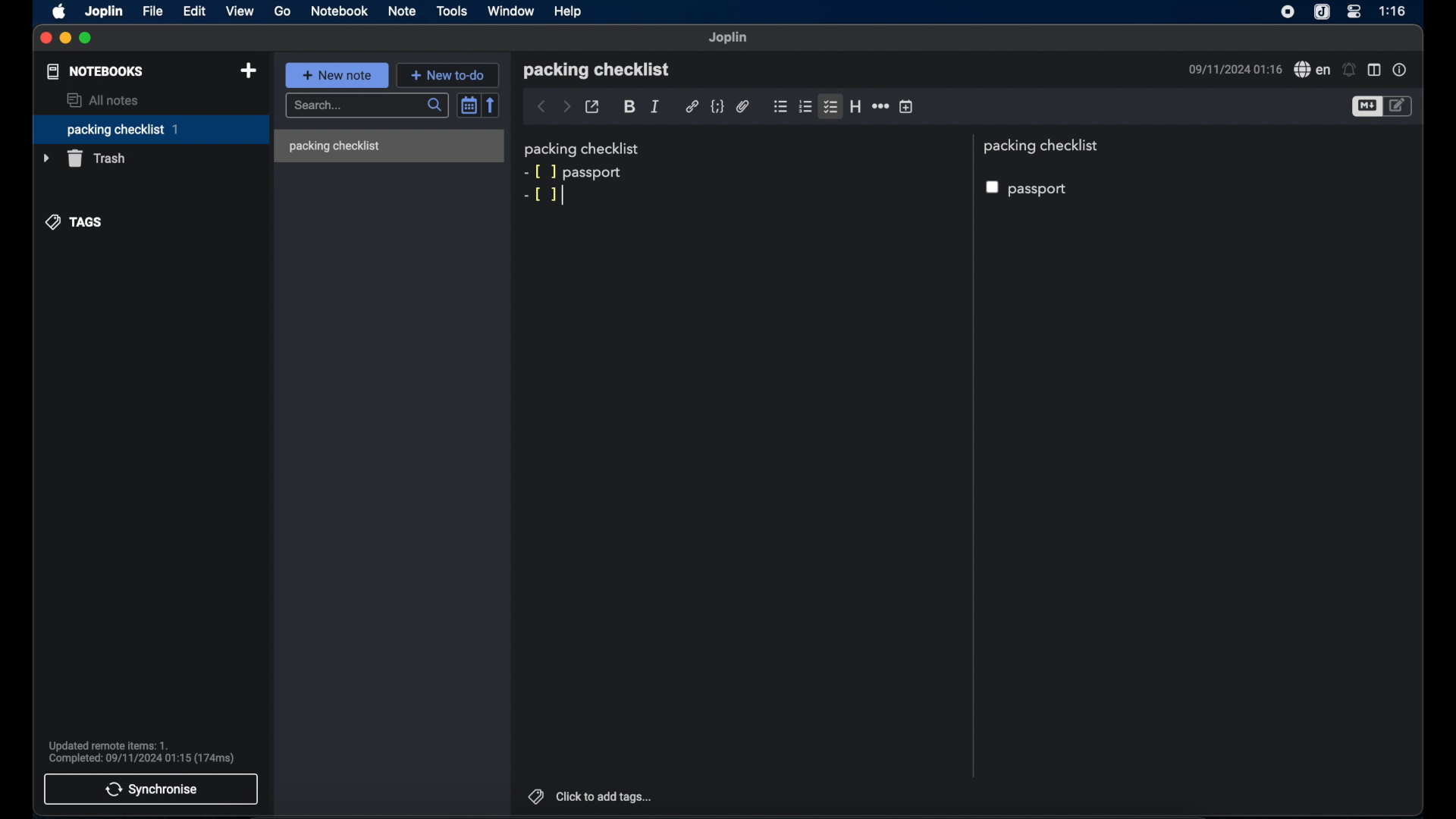  I want to click on toggle editor, so click(1366, 107).